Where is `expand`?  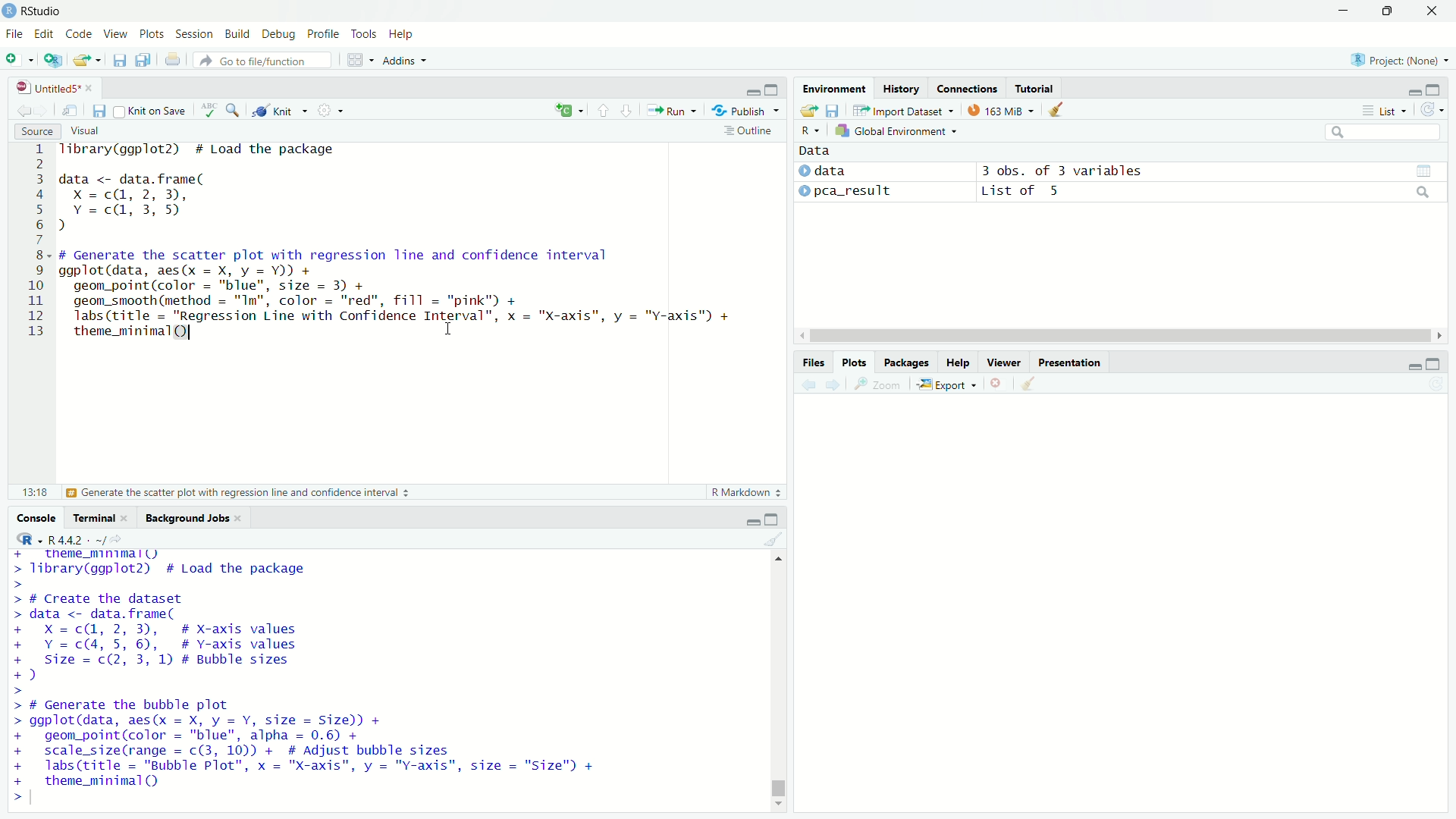
expand is located at coordinates (1433, 89).